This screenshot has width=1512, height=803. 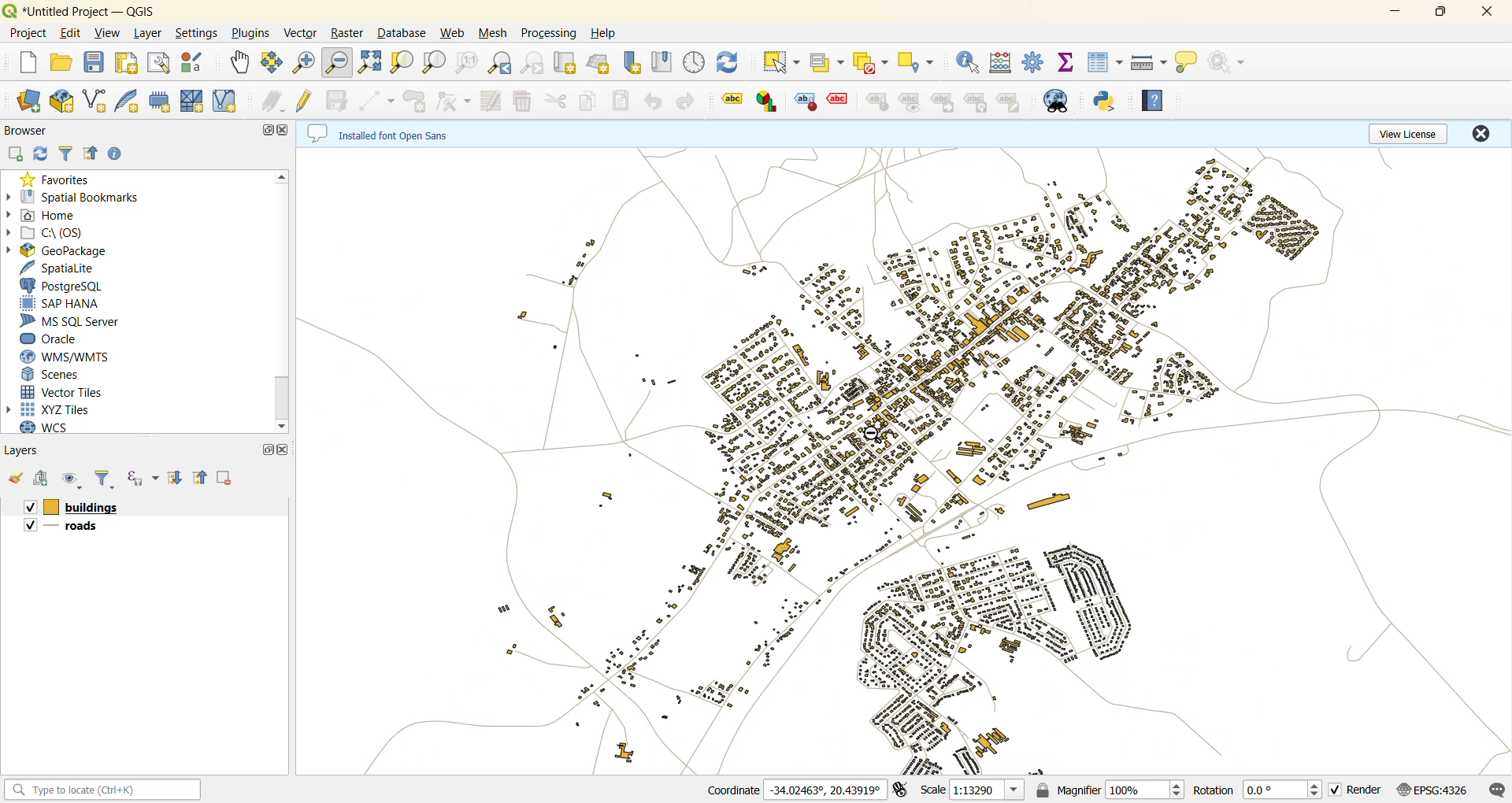 What do you see at coordinates (78, 198) in the screenshot?
I see `spatial bookmarks` at bounding box center [78, 198].